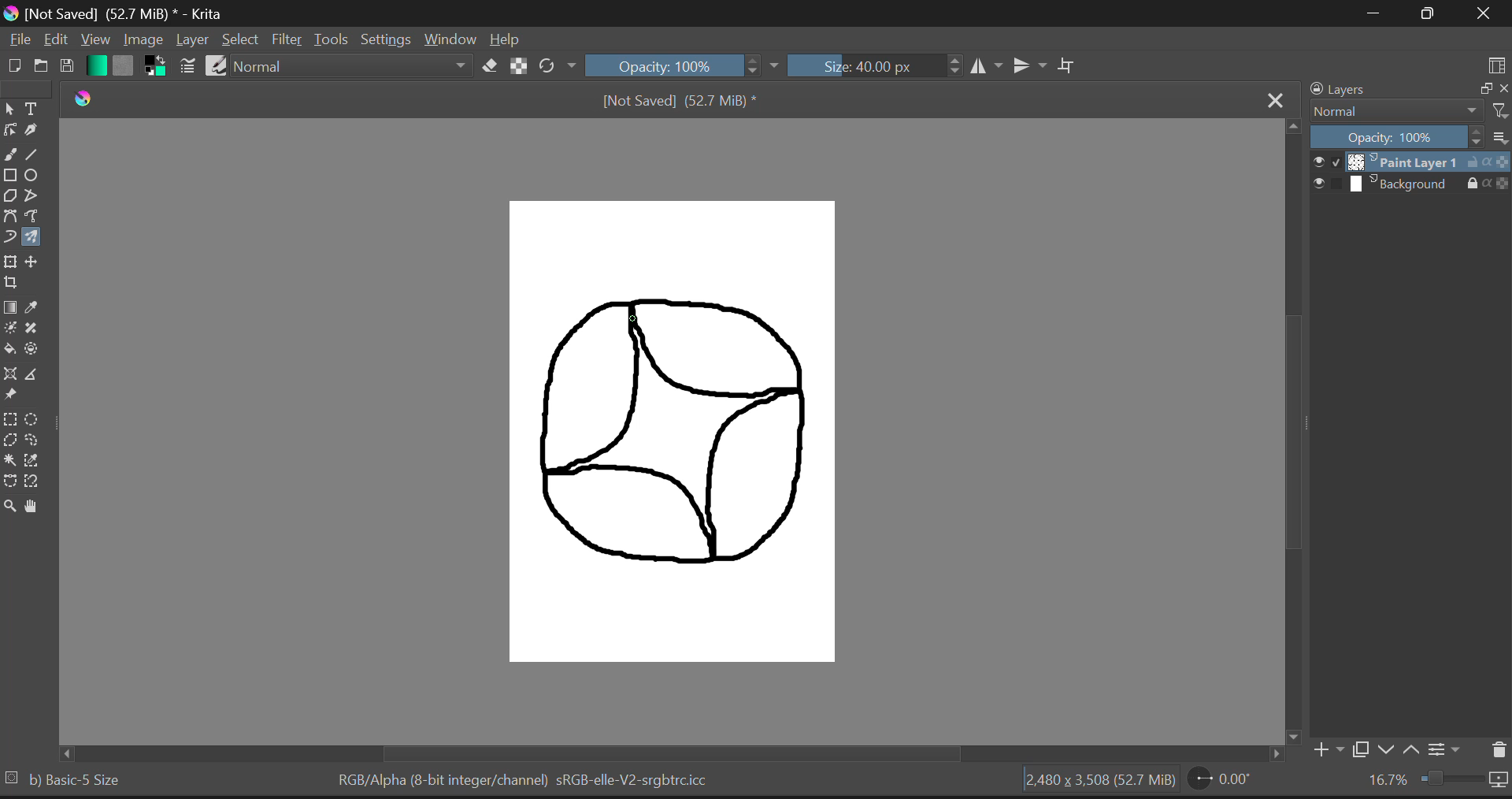 This screenshot has width=1512, height=799. Describe the element at coordinates (10, 508) in the screenshot. I see `Zoom` at that location.